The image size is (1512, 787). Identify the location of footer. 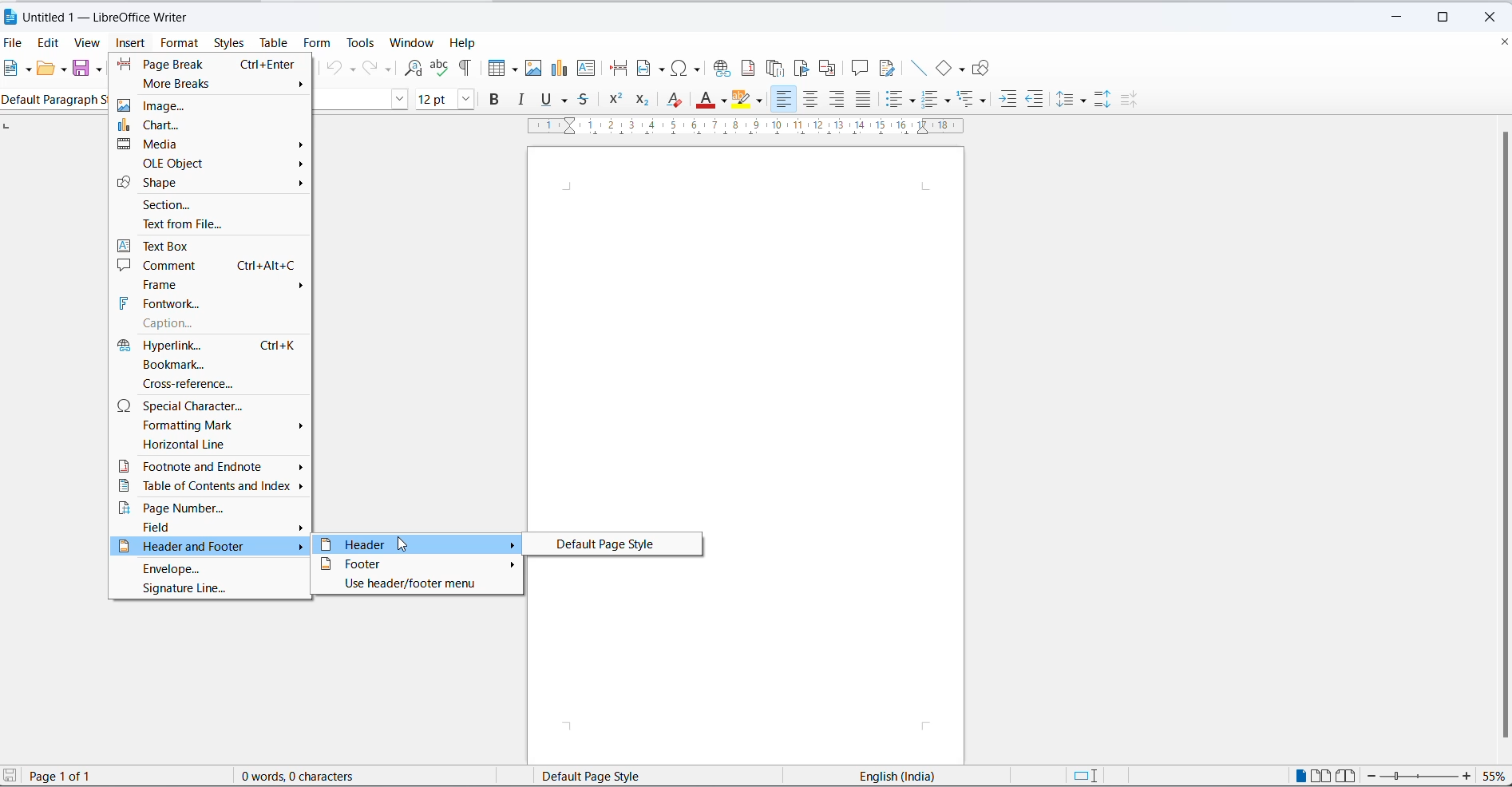
(417, 563).